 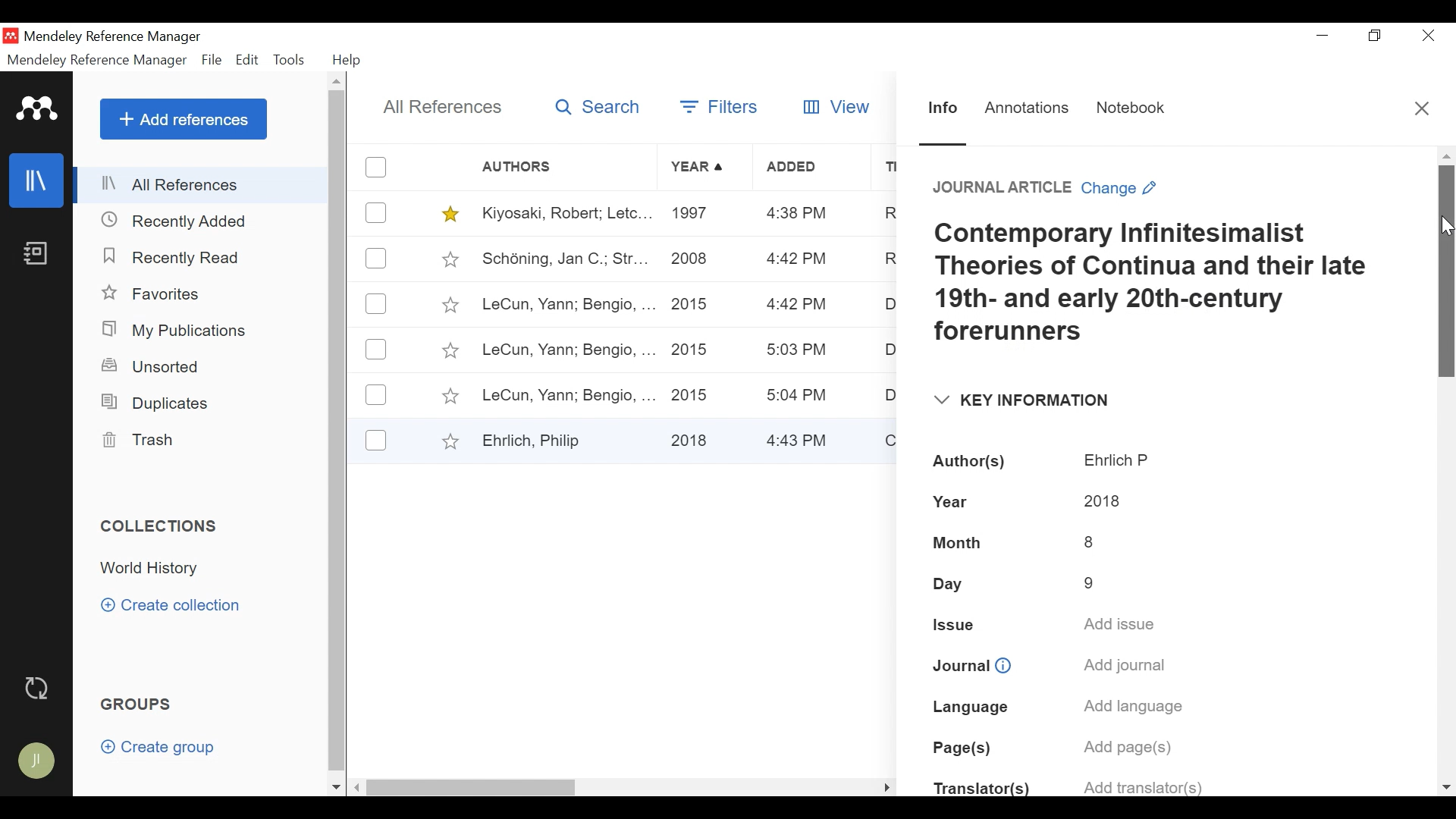 What do you see at coordinates (336, 788) in the screenshot?
I see `scroll down` at bounding box center [336, 788].